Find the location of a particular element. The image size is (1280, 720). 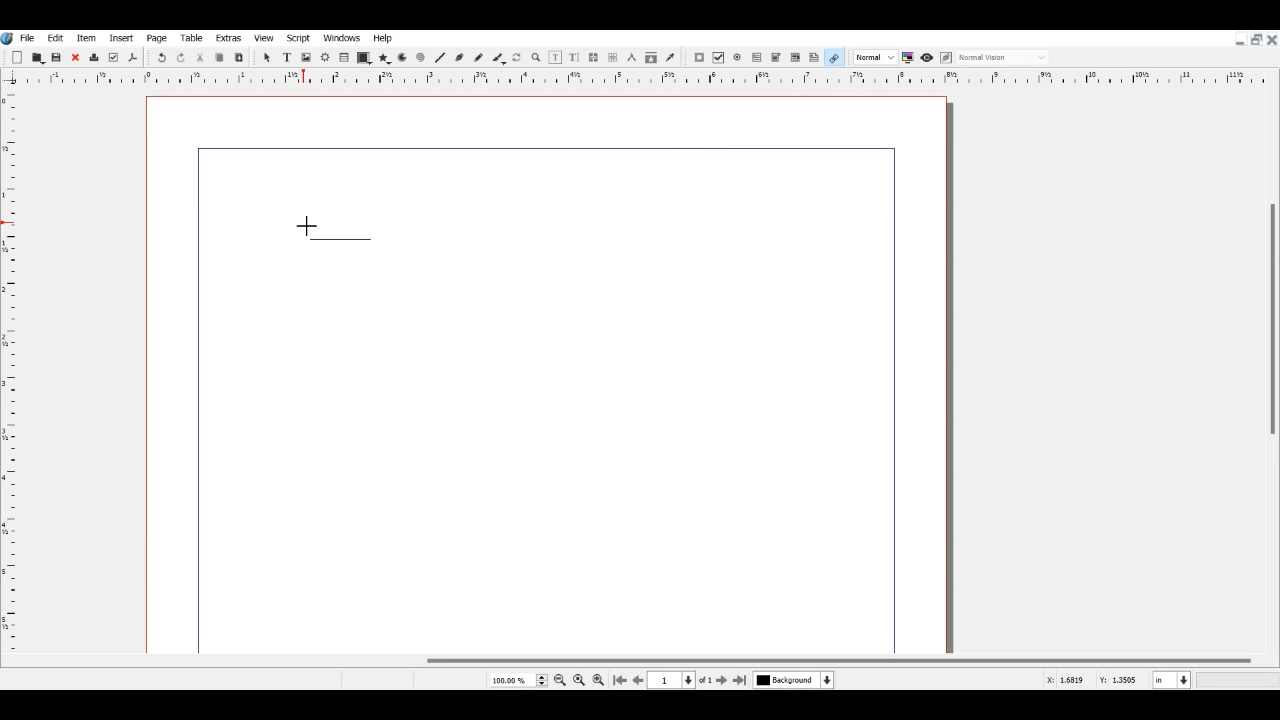

Calligraphic line is located at coordinates (499, 58).